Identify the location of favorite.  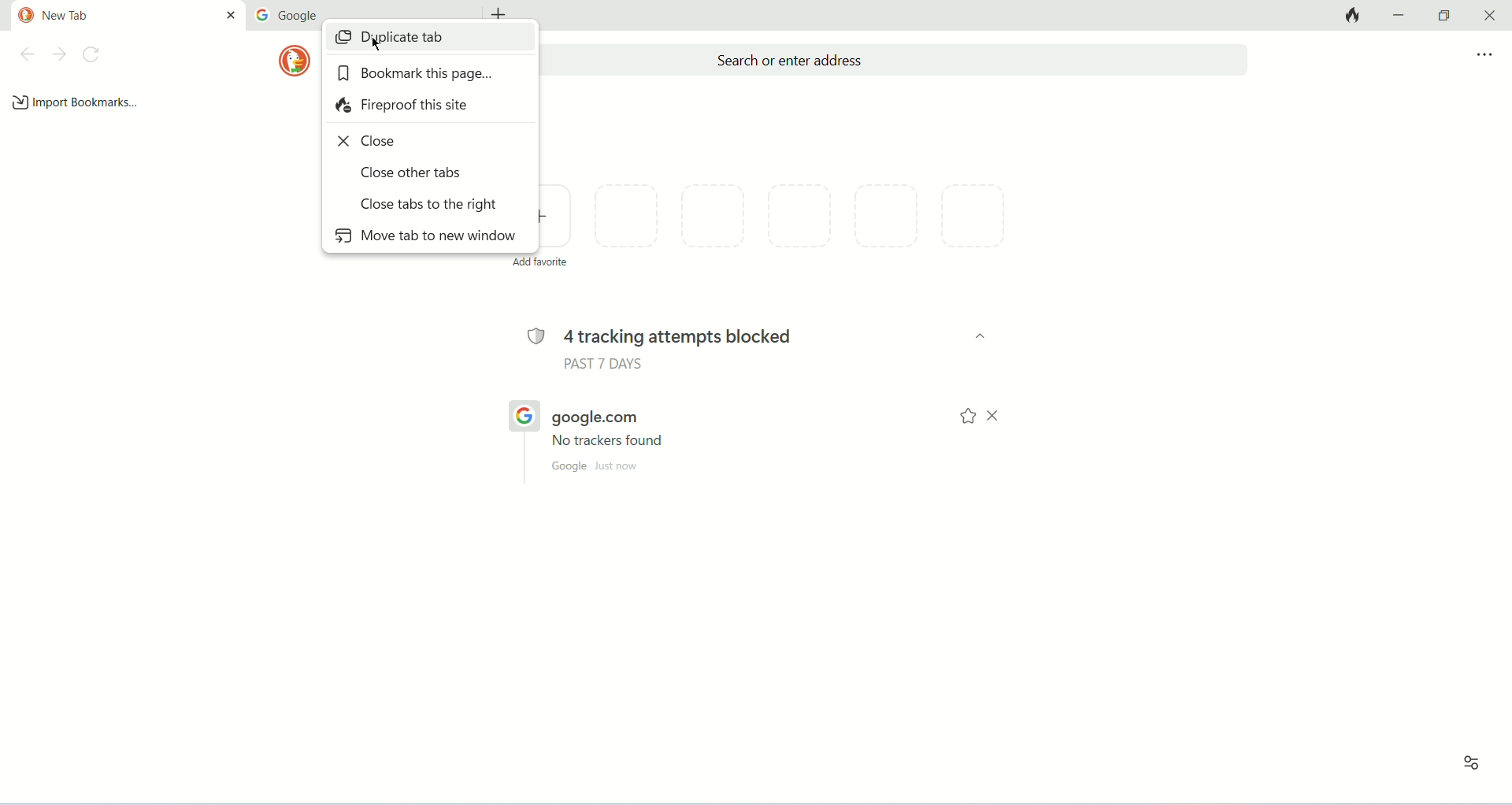
(810, 224).